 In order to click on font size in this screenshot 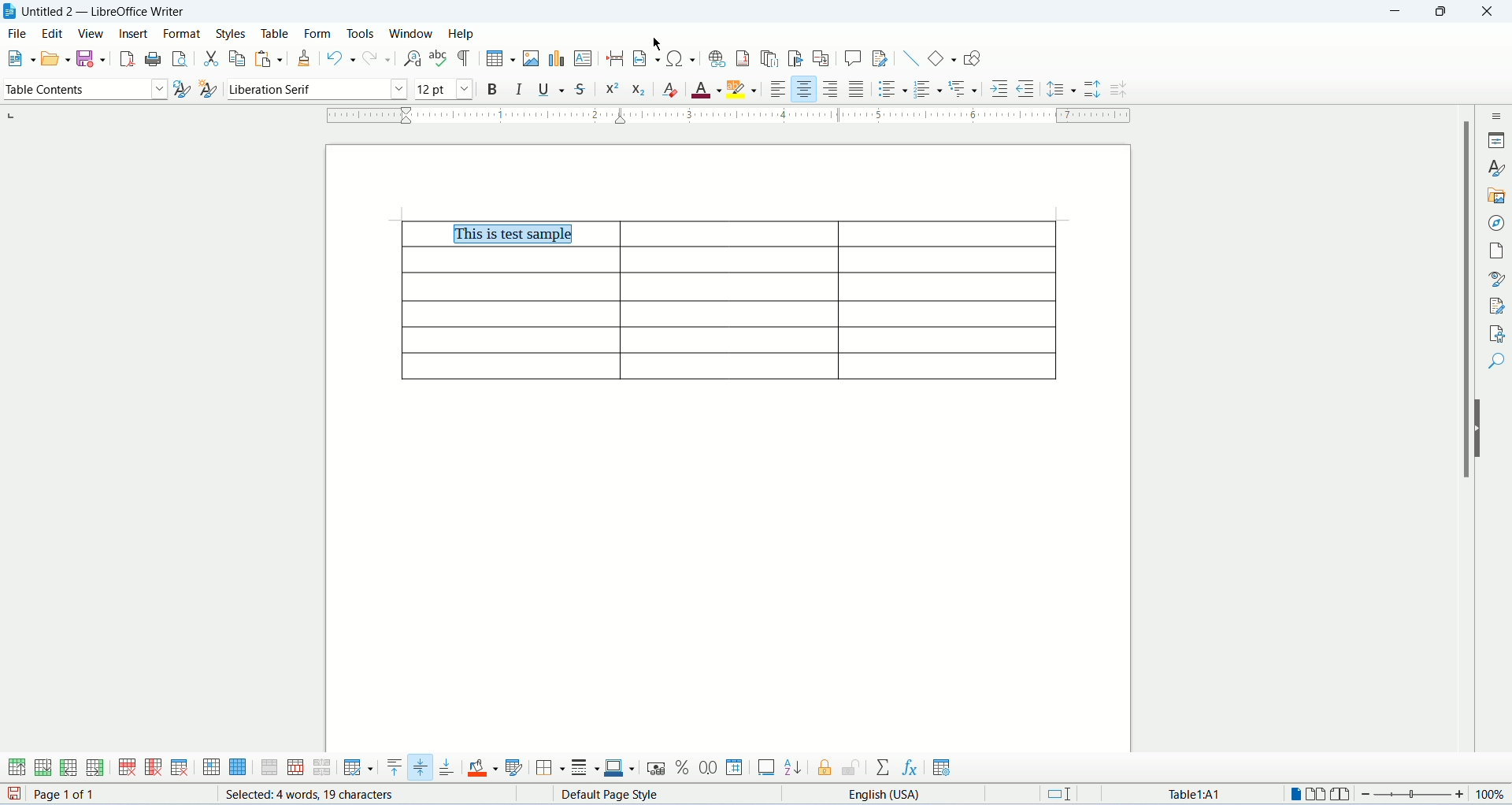, I will do `click(445, 90)`.